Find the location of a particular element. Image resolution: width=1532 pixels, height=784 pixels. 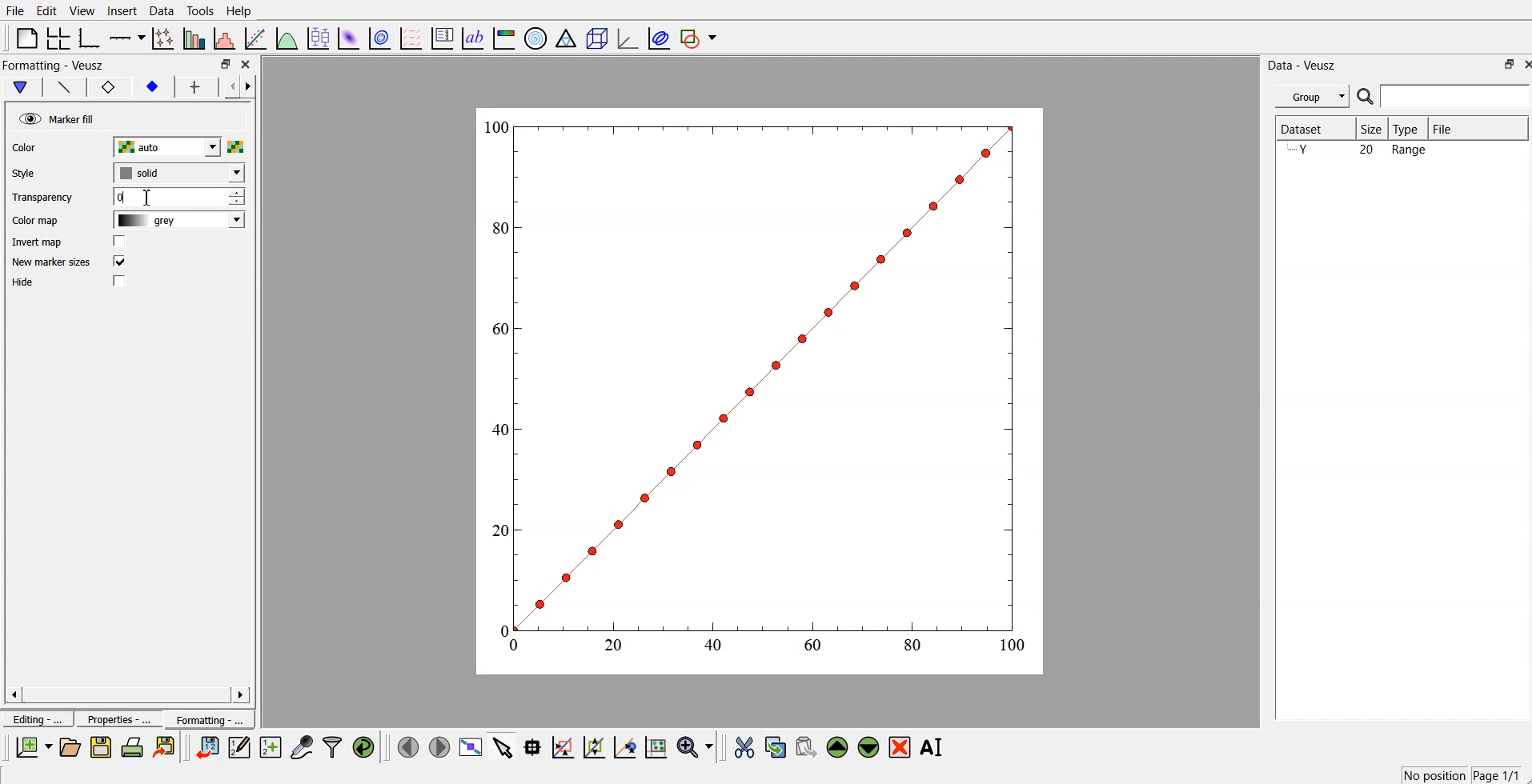

Capture remote data is located at coordinates (303, 746).